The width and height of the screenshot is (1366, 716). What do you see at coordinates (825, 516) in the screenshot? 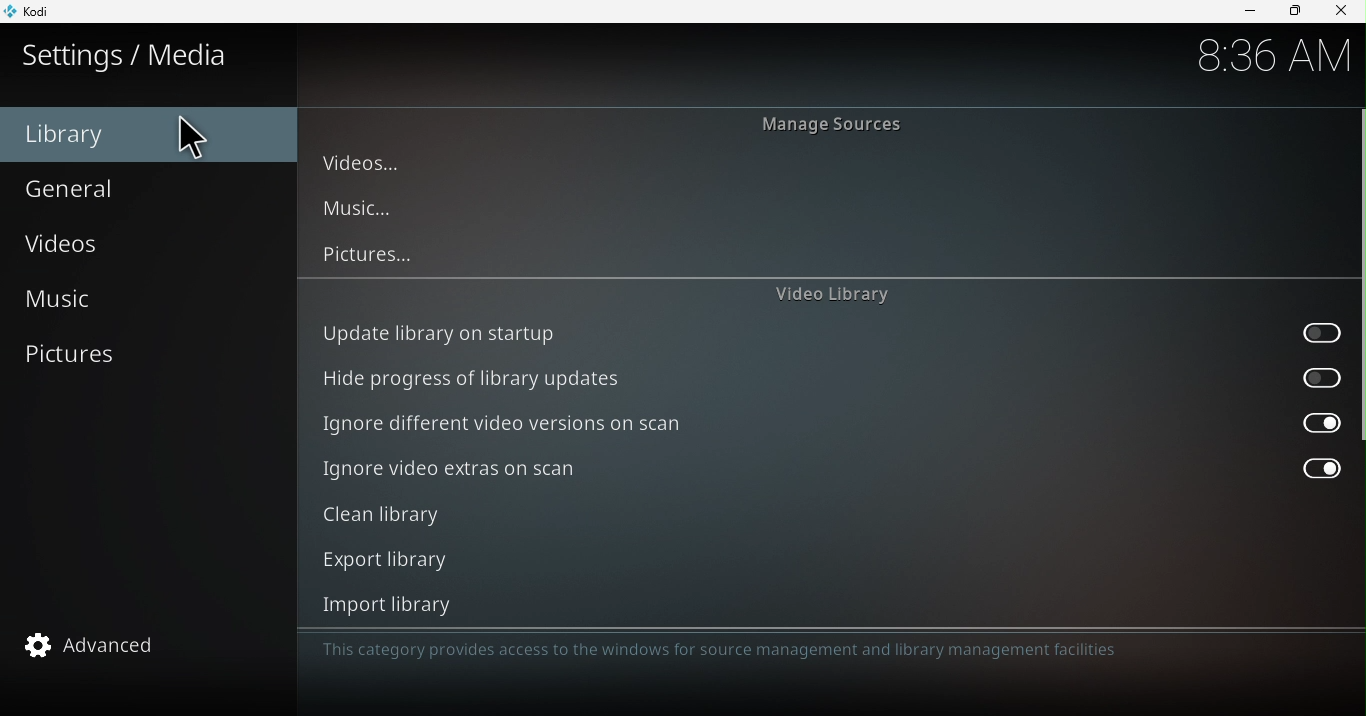
I see `Clean library` at bounding box center [825, 516].